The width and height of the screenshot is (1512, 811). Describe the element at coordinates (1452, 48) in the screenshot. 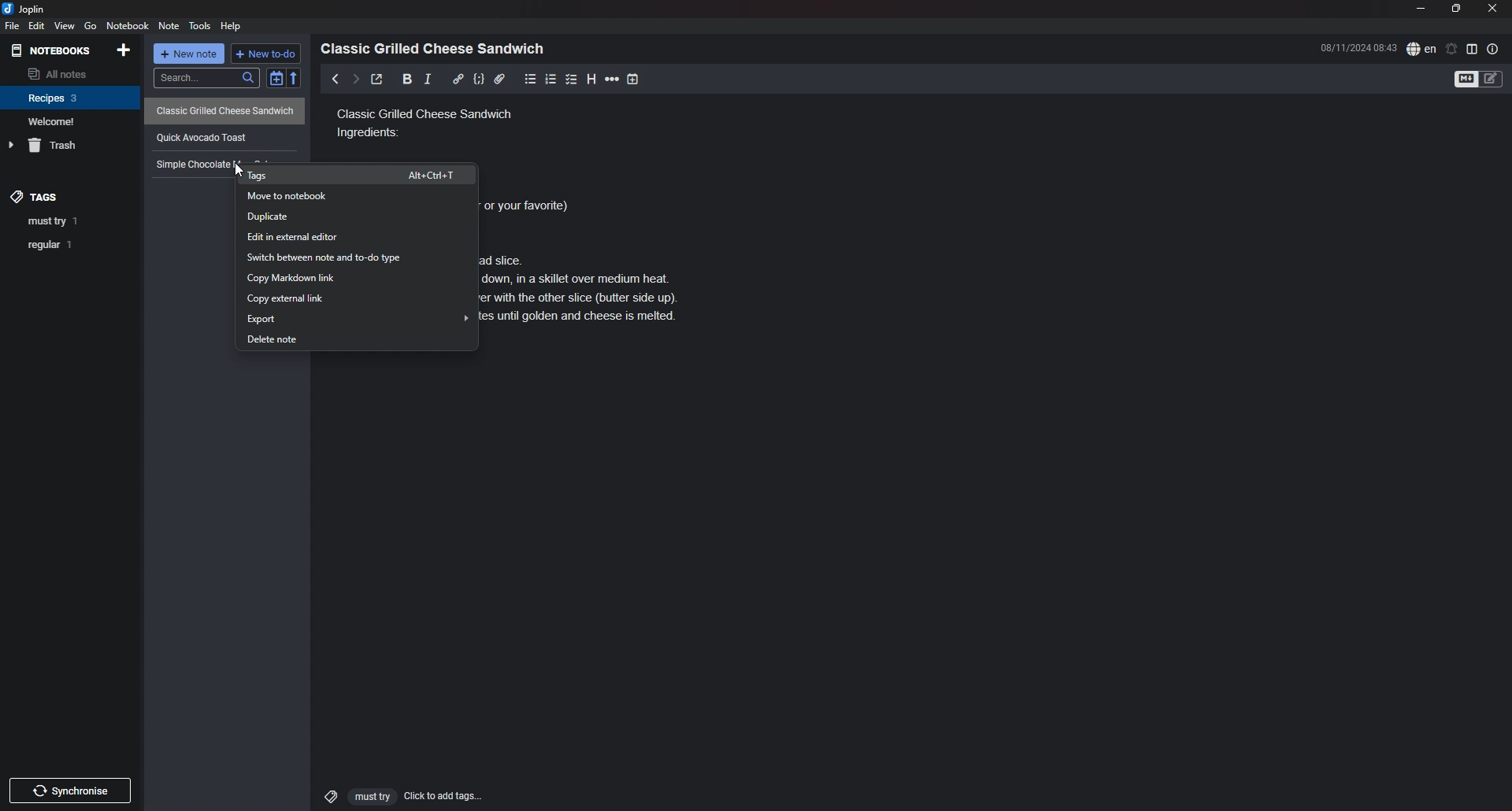

I see `set alarm` at that location.